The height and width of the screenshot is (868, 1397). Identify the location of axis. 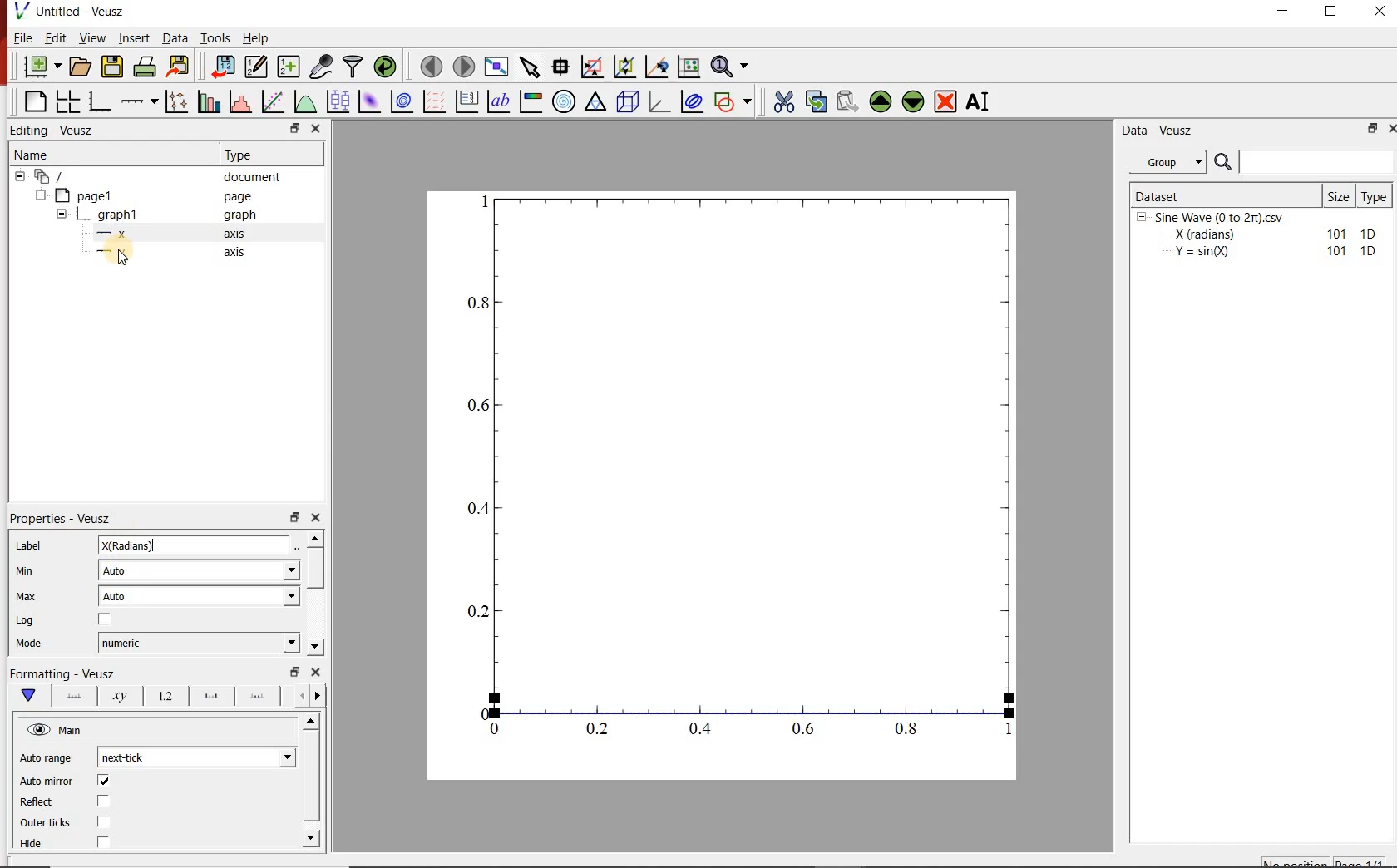
(233, 251).